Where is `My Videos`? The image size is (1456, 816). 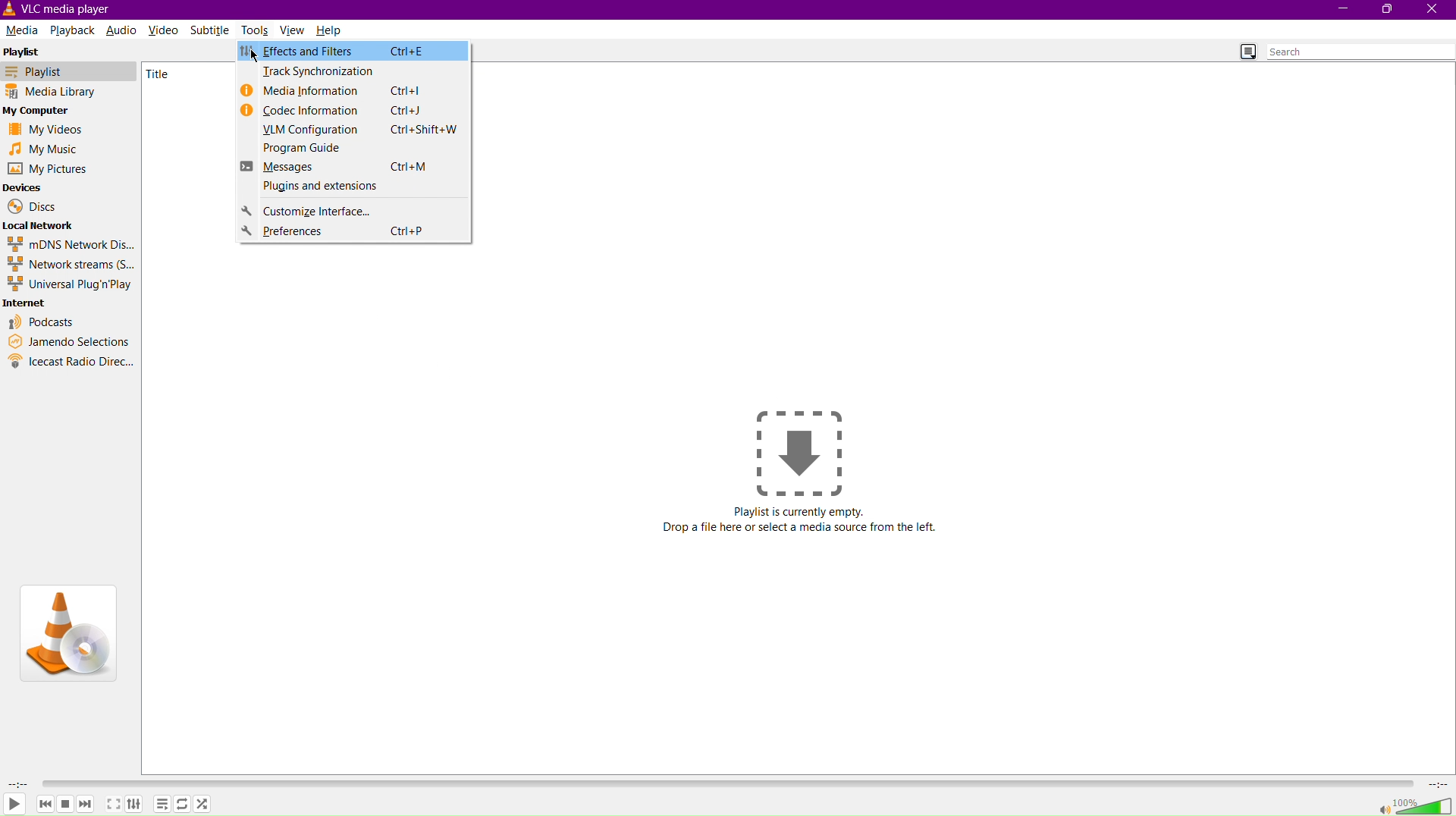
My Videos is located at coordinates (49, 130).